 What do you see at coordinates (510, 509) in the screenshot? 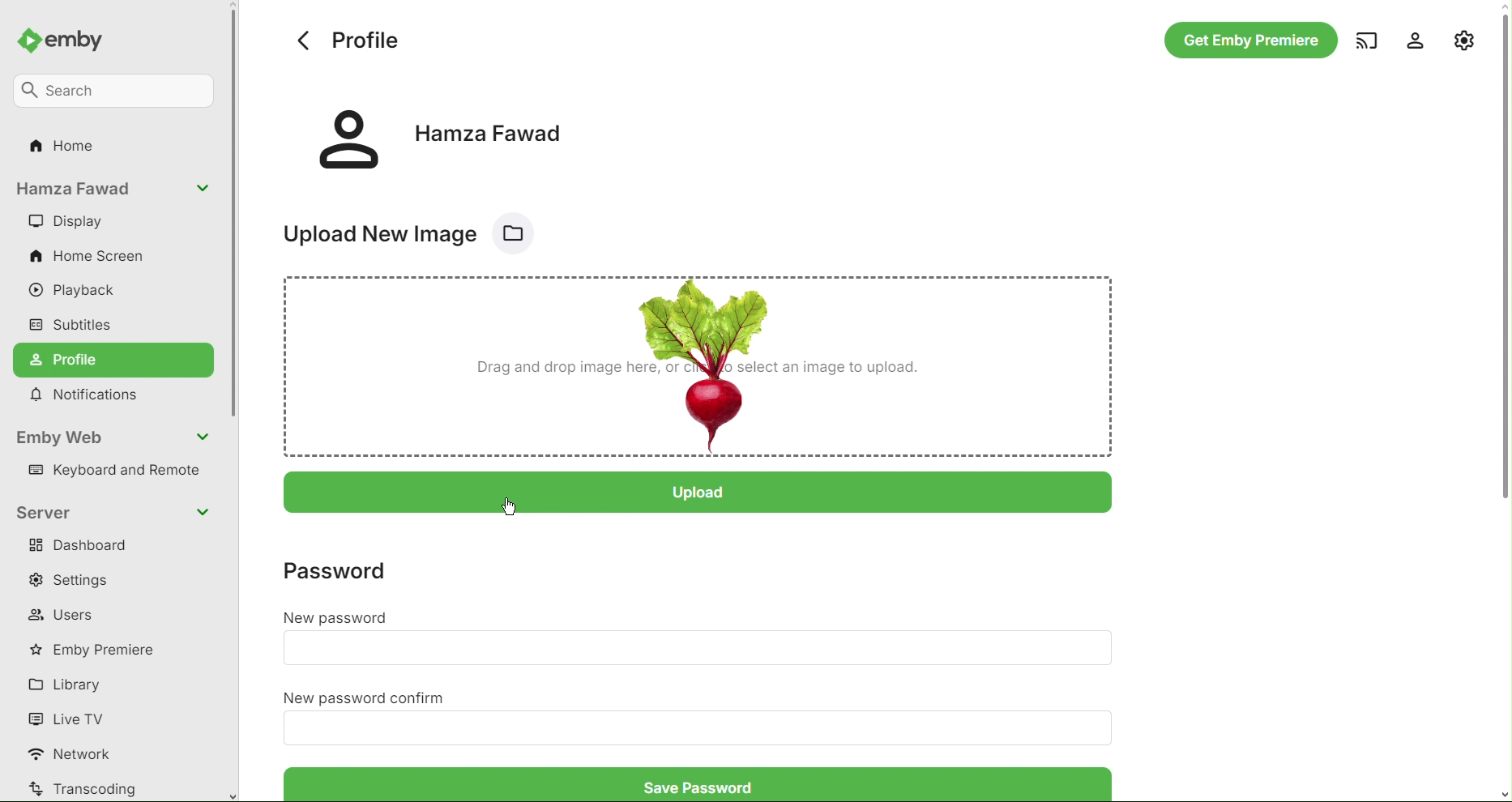
I see `Cursor` at bounding box center [510, 509].